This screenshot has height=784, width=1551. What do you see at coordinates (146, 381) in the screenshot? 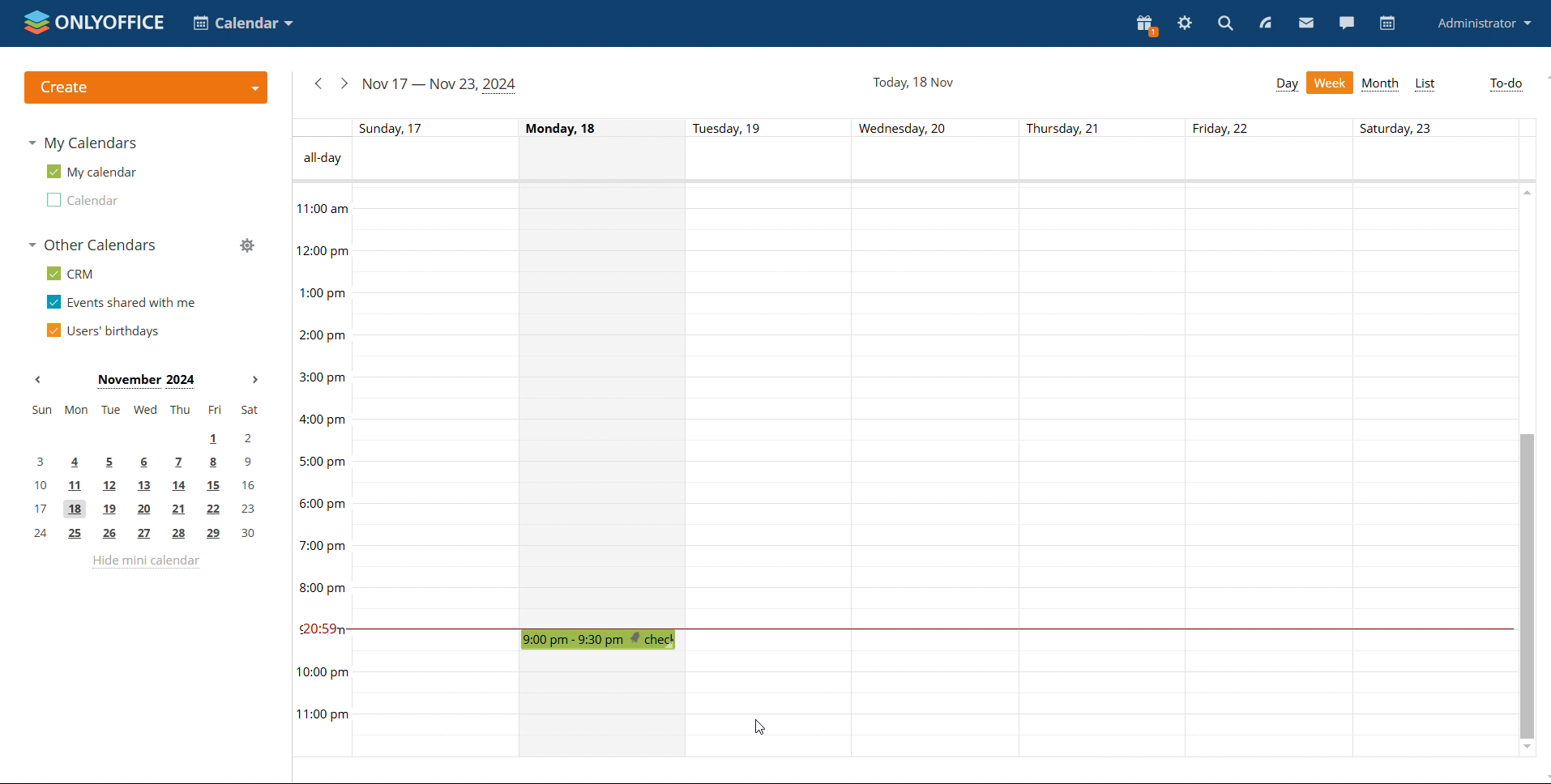
I see `Month on display` at bounding box center [146, 381].